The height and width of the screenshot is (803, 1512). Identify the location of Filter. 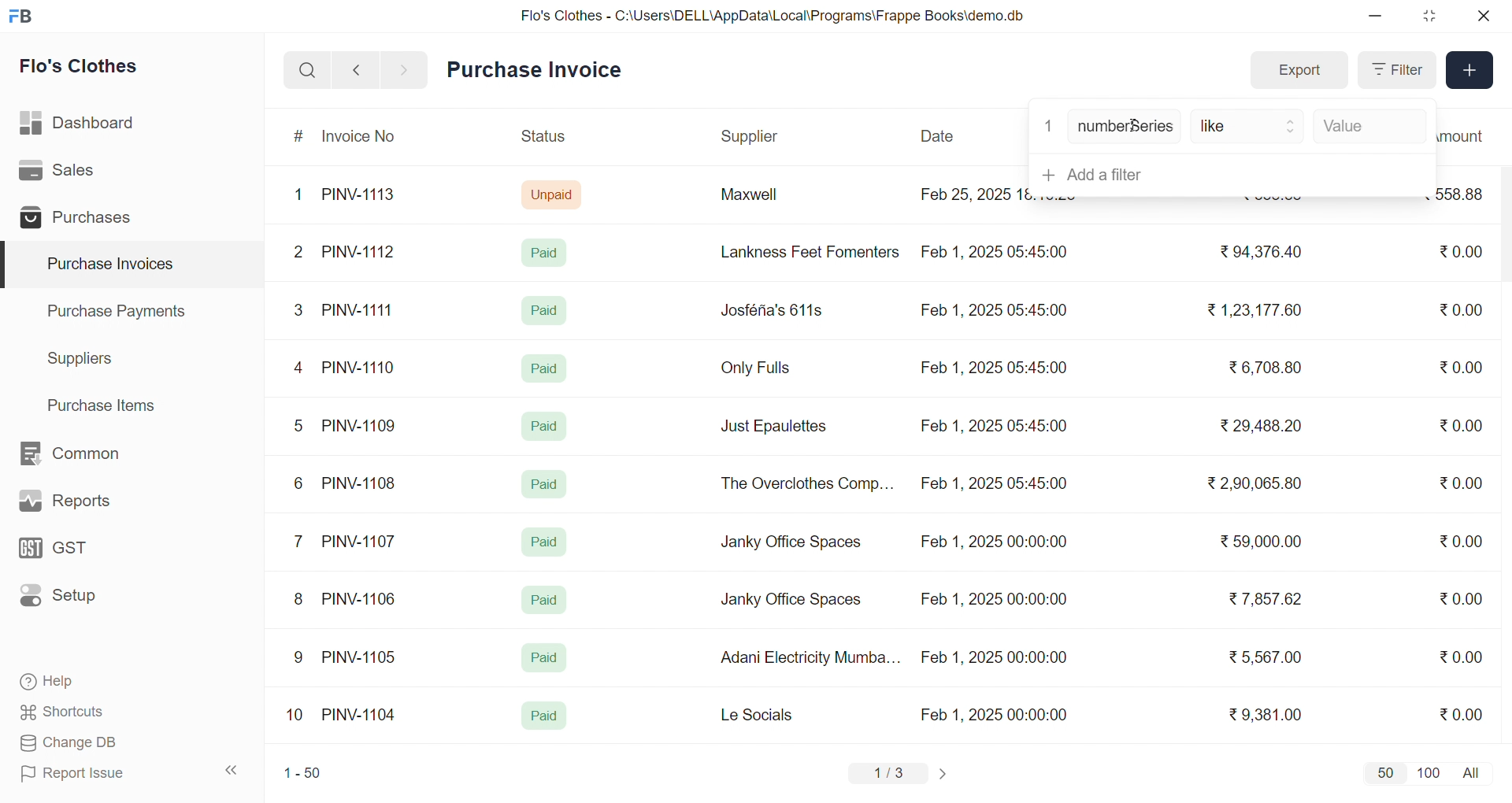
(1395, 70).